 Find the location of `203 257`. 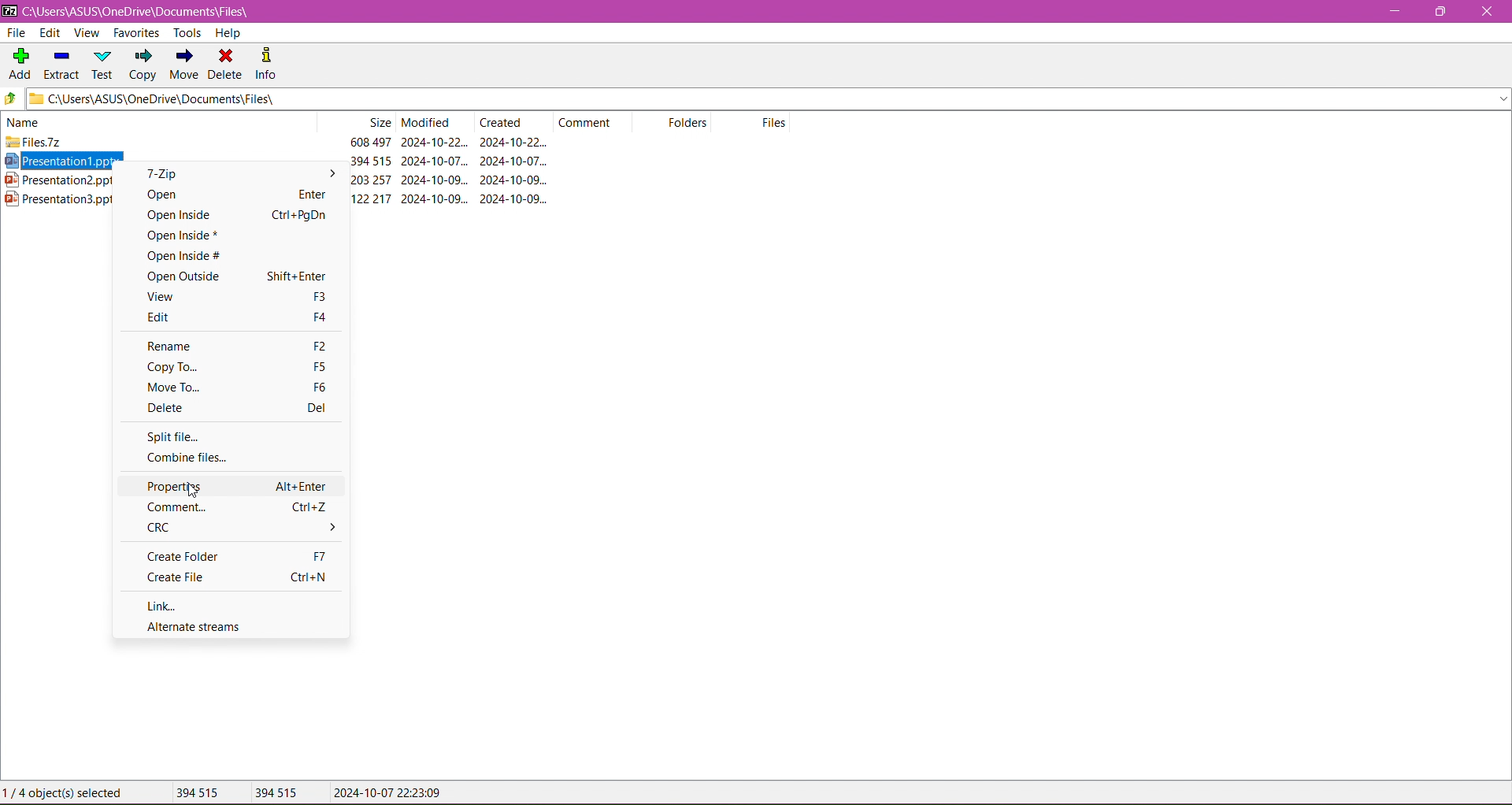

203 257 is located at coordinates (371, 180).